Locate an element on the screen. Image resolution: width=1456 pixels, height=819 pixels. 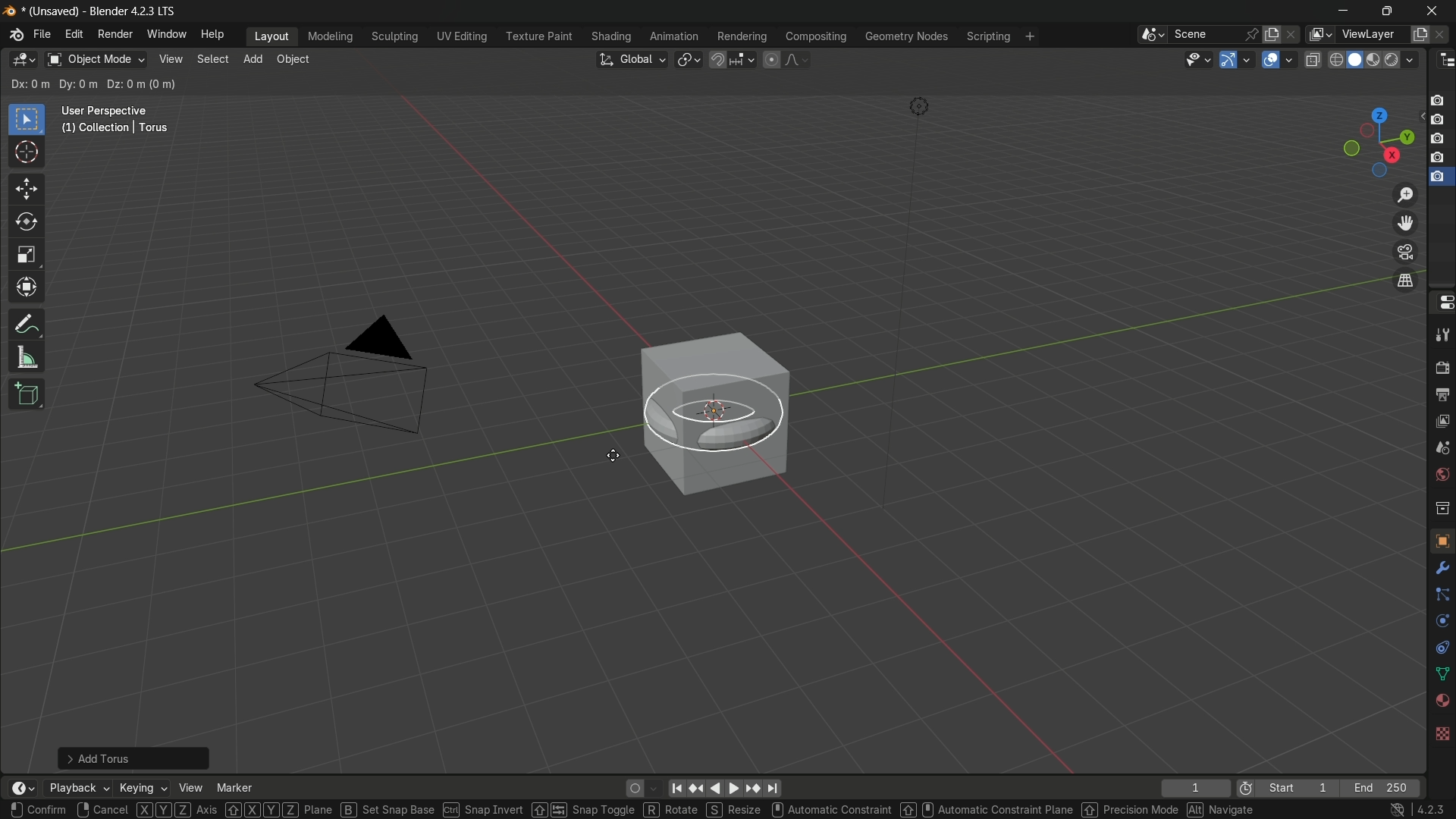
add is located at coordinates (253, 58).